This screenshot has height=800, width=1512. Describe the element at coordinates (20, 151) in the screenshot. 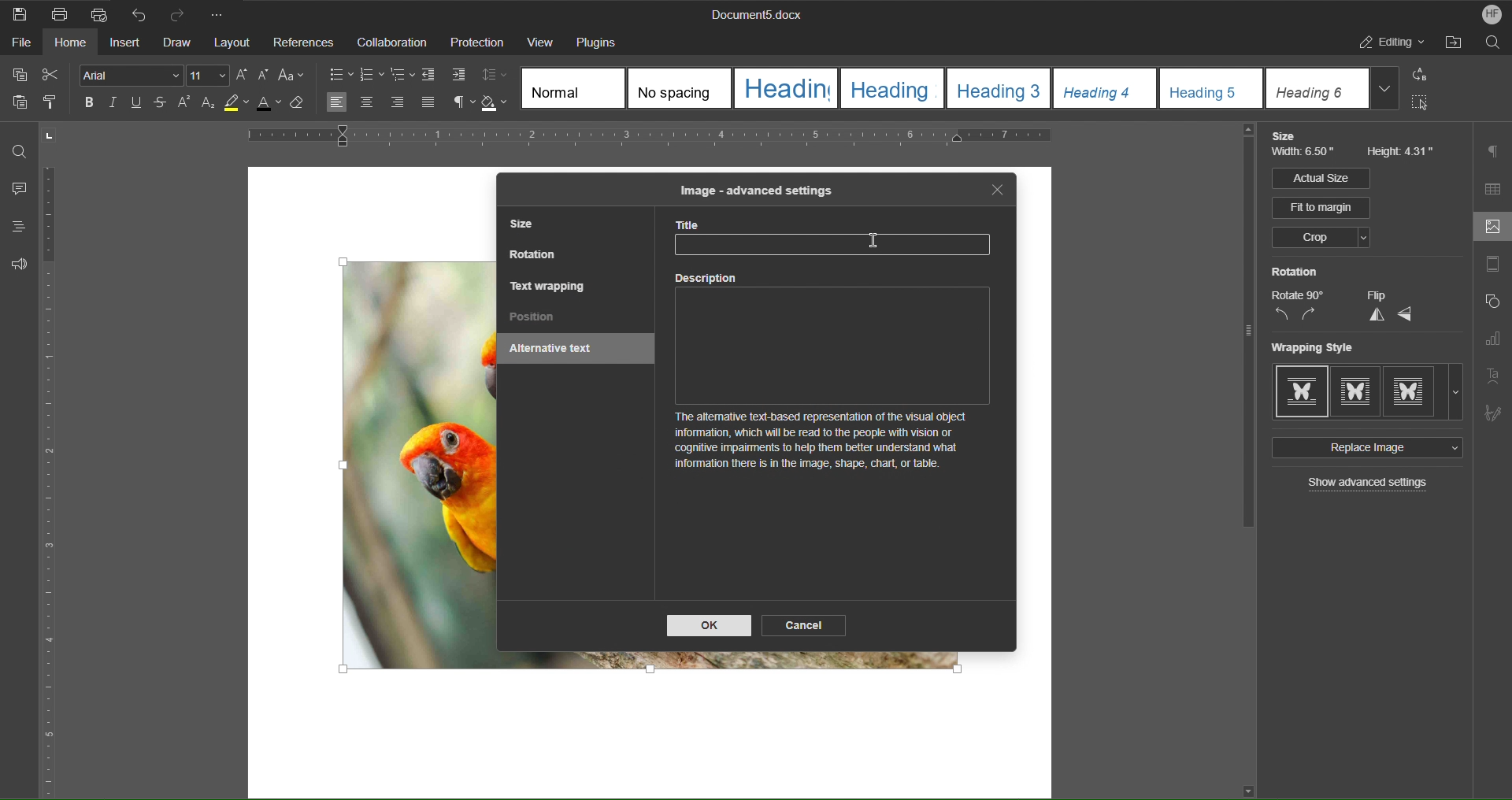

I see `Find` at that location.